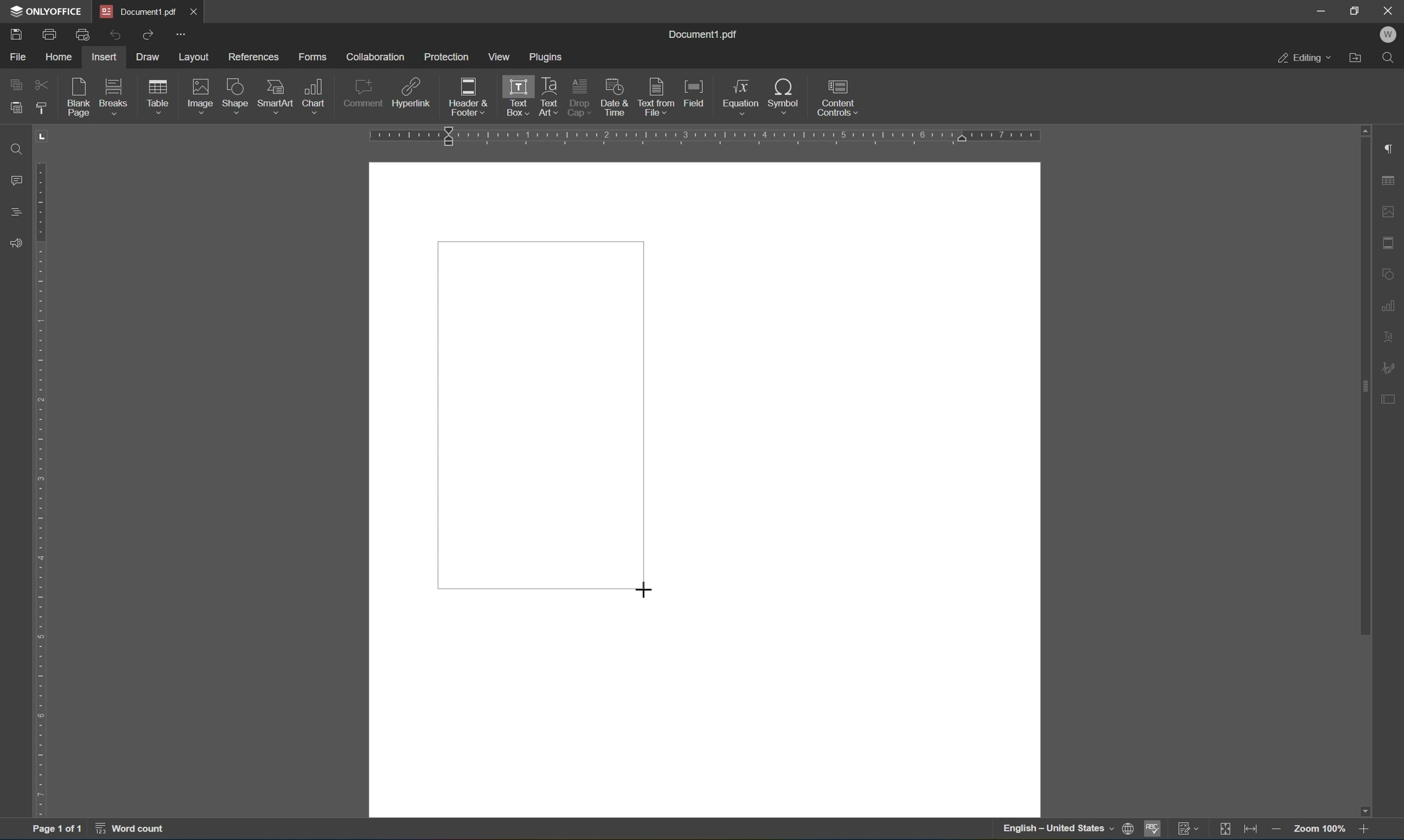  I want to click on copy style, so click(41, 108).